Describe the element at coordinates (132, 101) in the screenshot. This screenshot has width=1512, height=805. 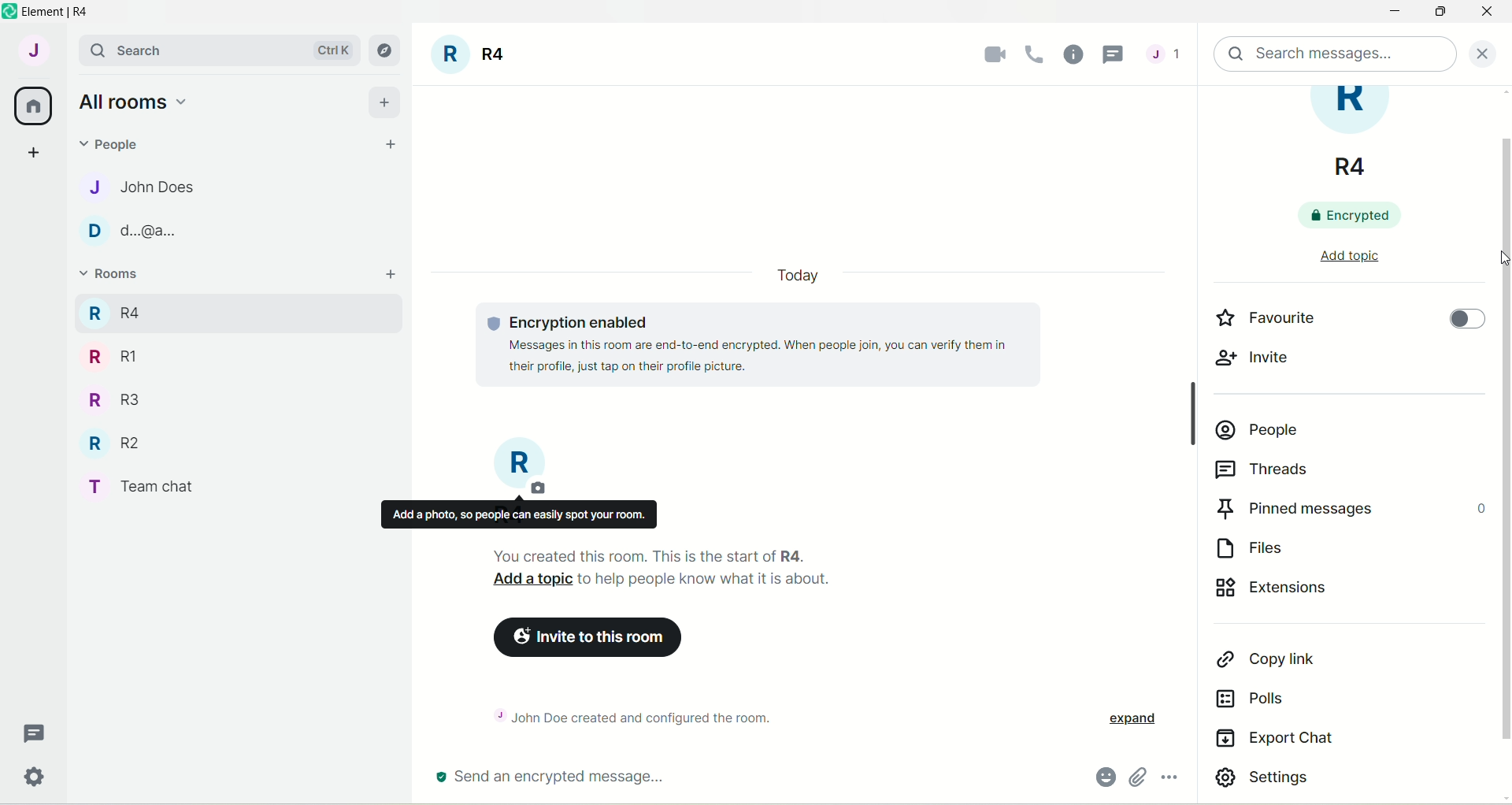
I see `all rooms` at that location.